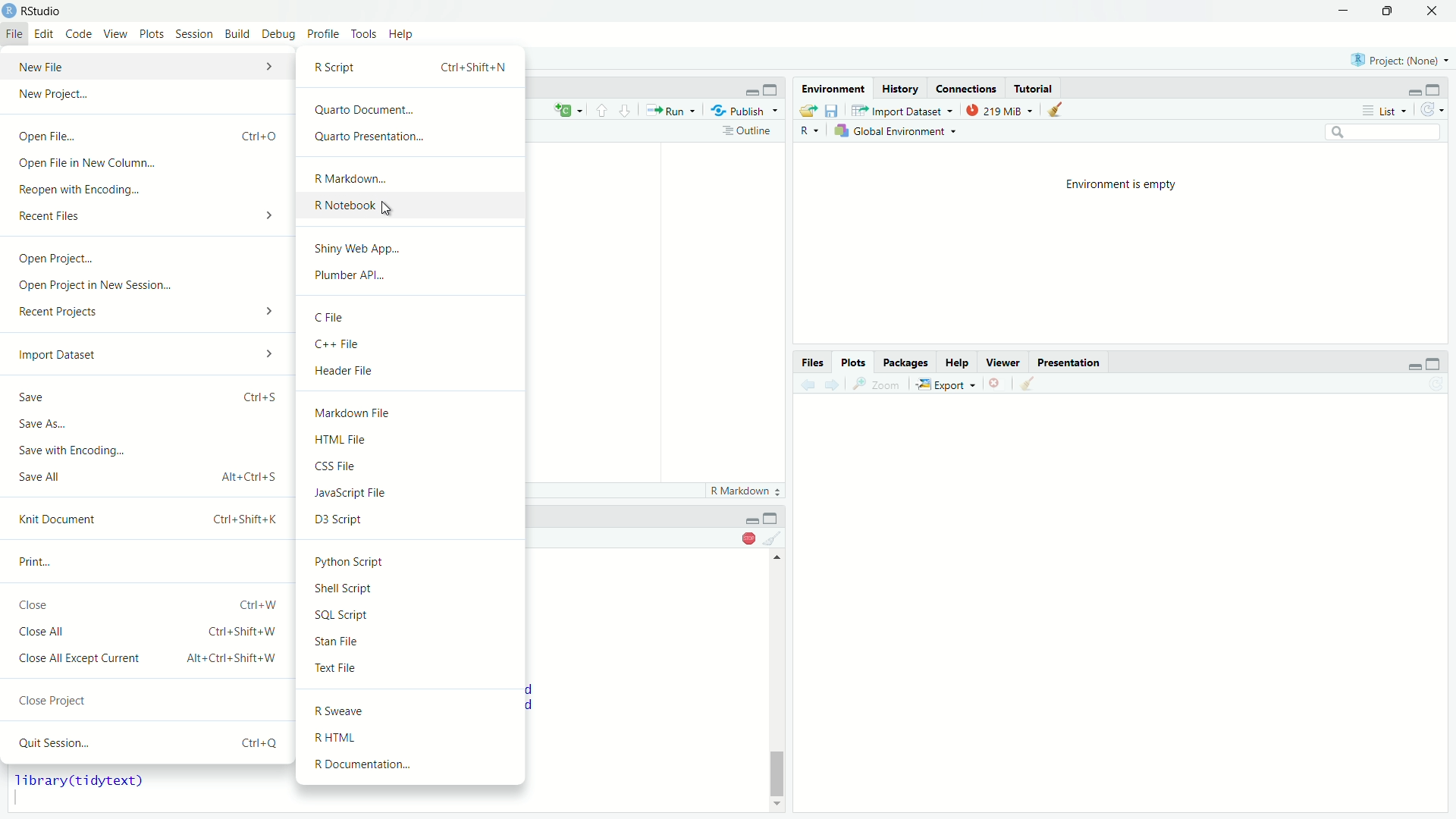 This screenshot has width=1456, height=819. What do you see at coordinates (1400, 59) in the screenshot?
I see `select project` at bounding box center [1400, 59].